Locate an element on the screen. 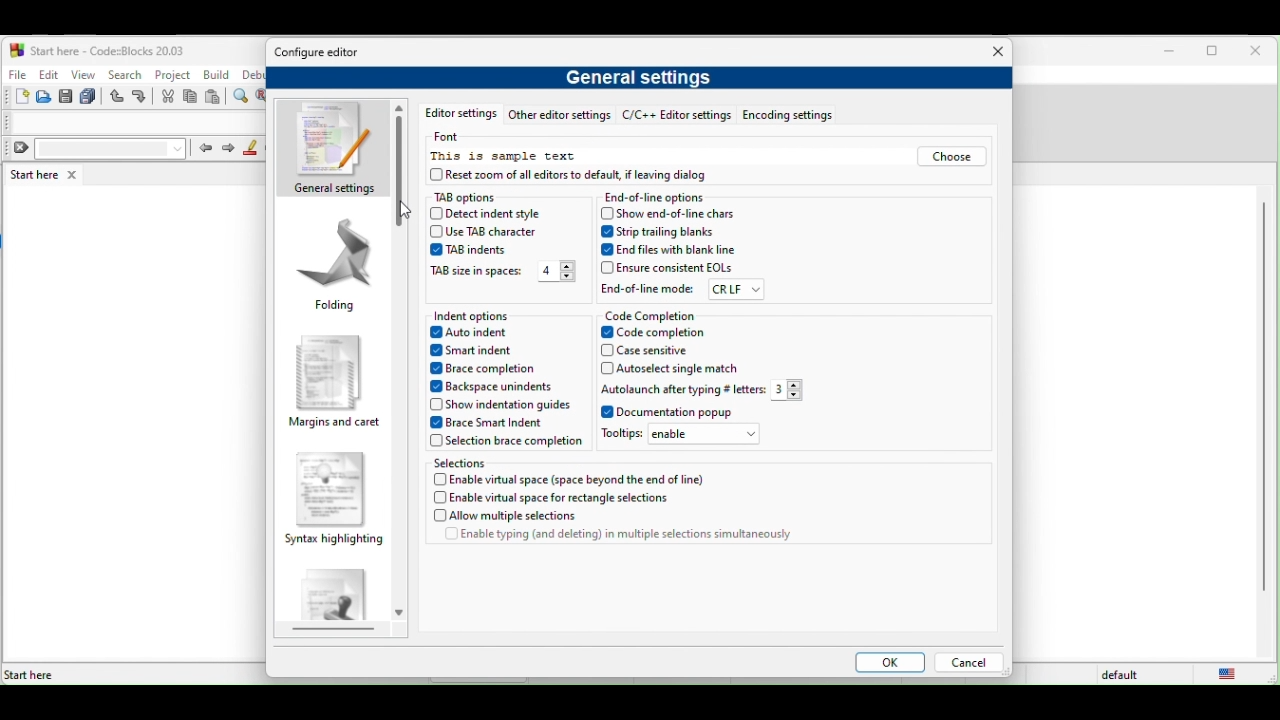 Image resolution: width=1280 pixels, height=720 pixels. brace smart indent is located at coordinates (494, 423).